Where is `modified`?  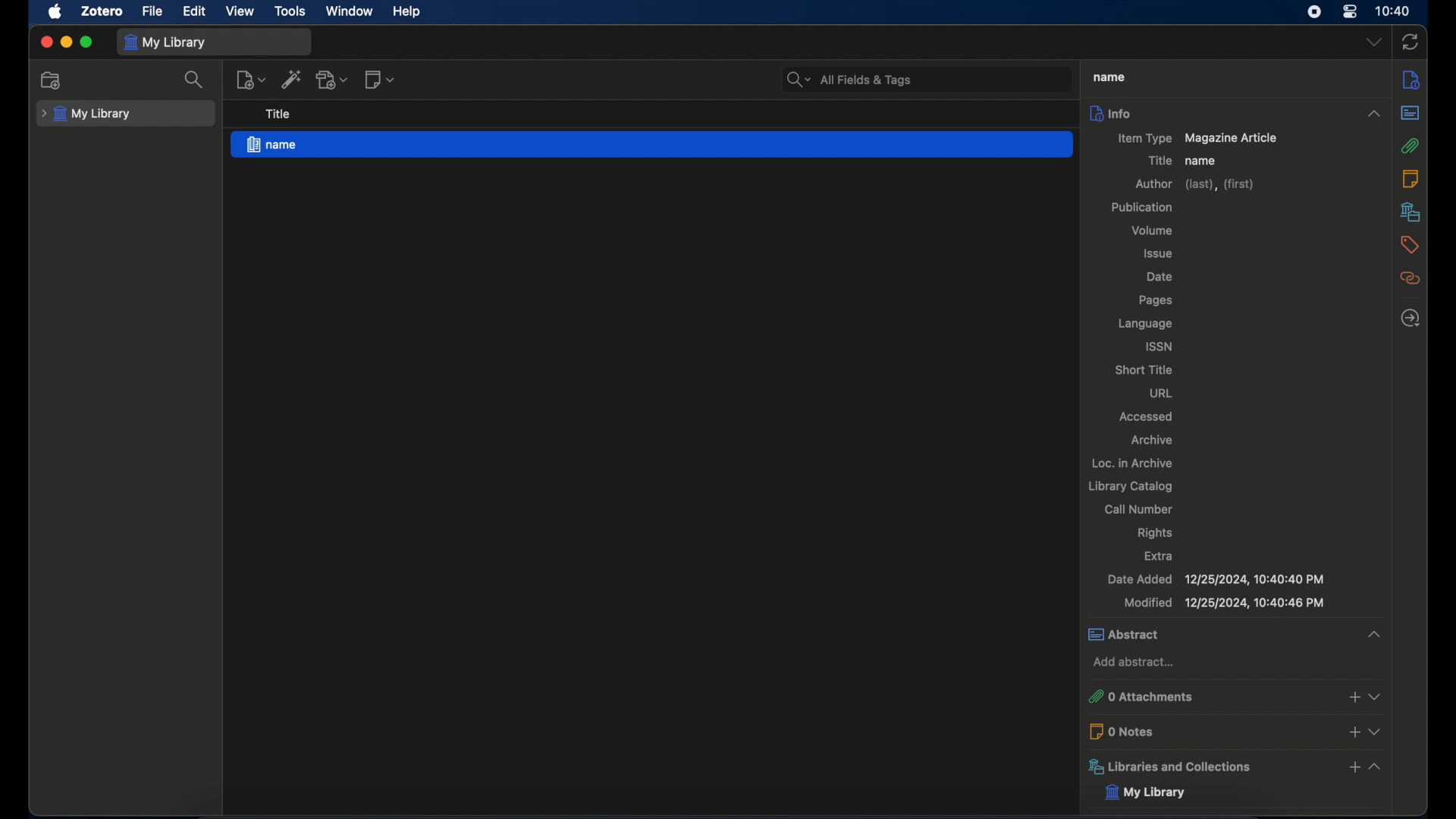 modified is located at coordinates (1224, 603).